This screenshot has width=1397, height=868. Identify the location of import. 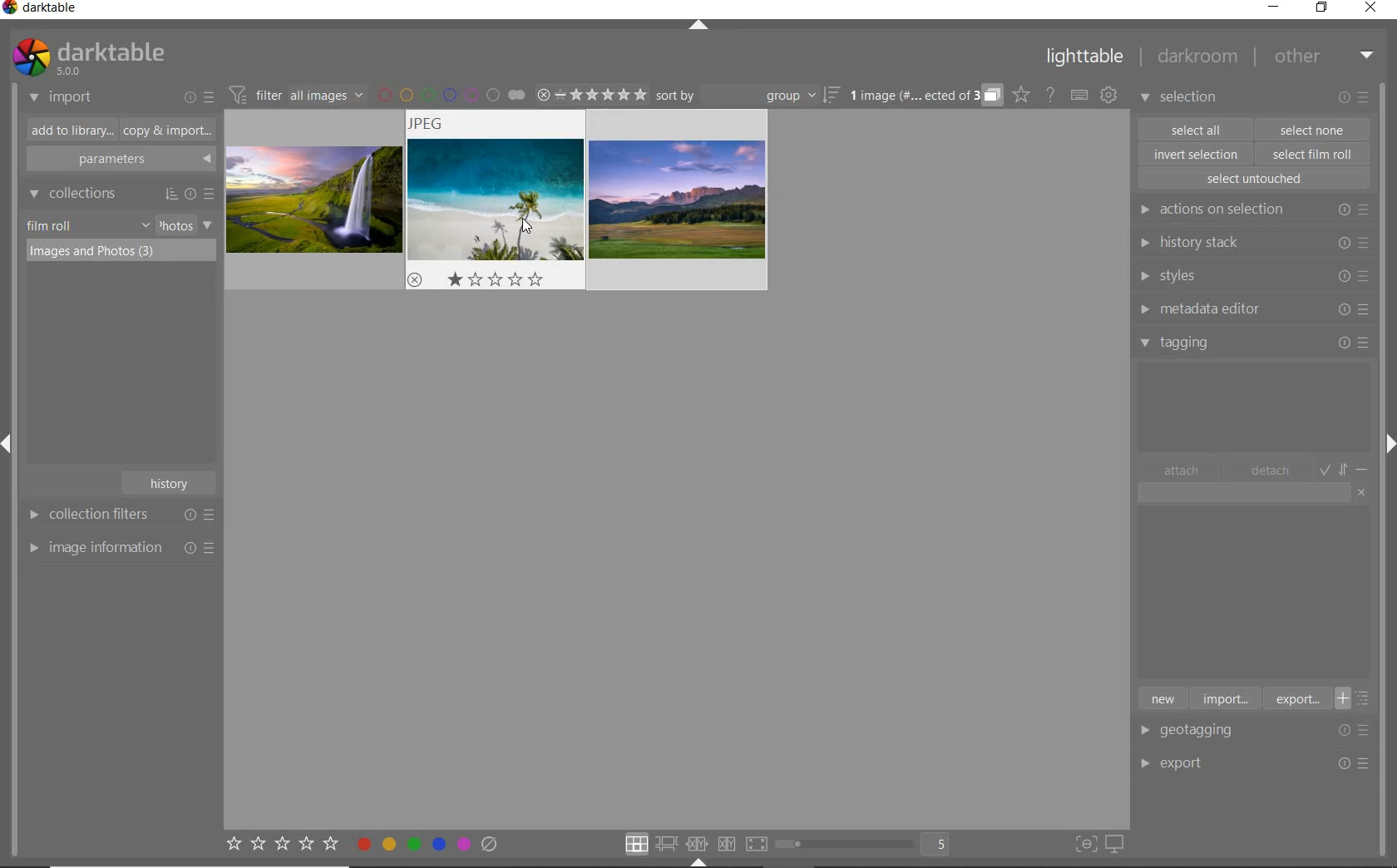
(1224, 698).